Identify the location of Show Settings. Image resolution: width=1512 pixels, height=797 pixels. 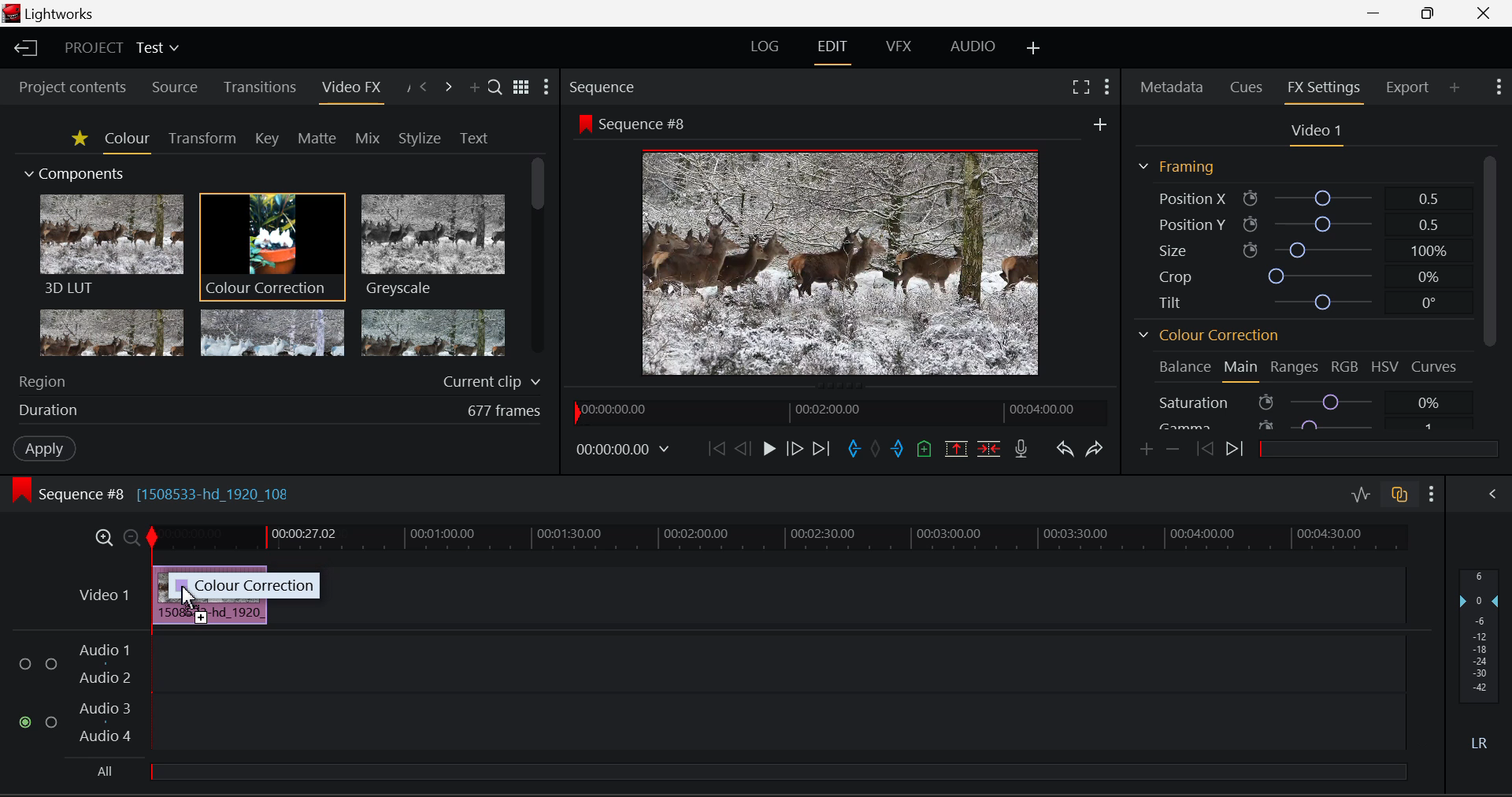
(1106, 87).